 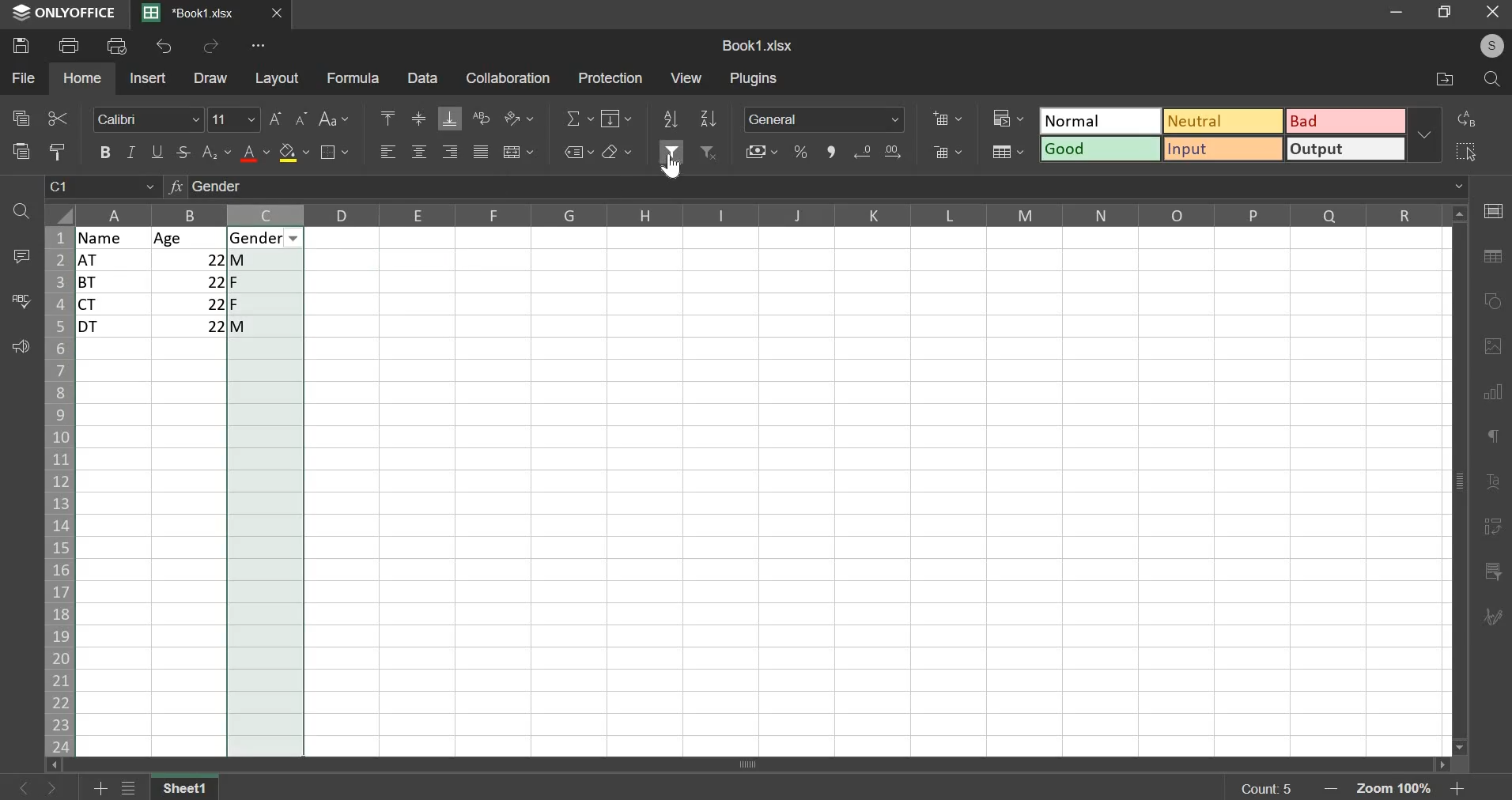 What do you see at coordinates (276, 77) in the screenshot?
I see `layout` at bounding box center [276, 77].